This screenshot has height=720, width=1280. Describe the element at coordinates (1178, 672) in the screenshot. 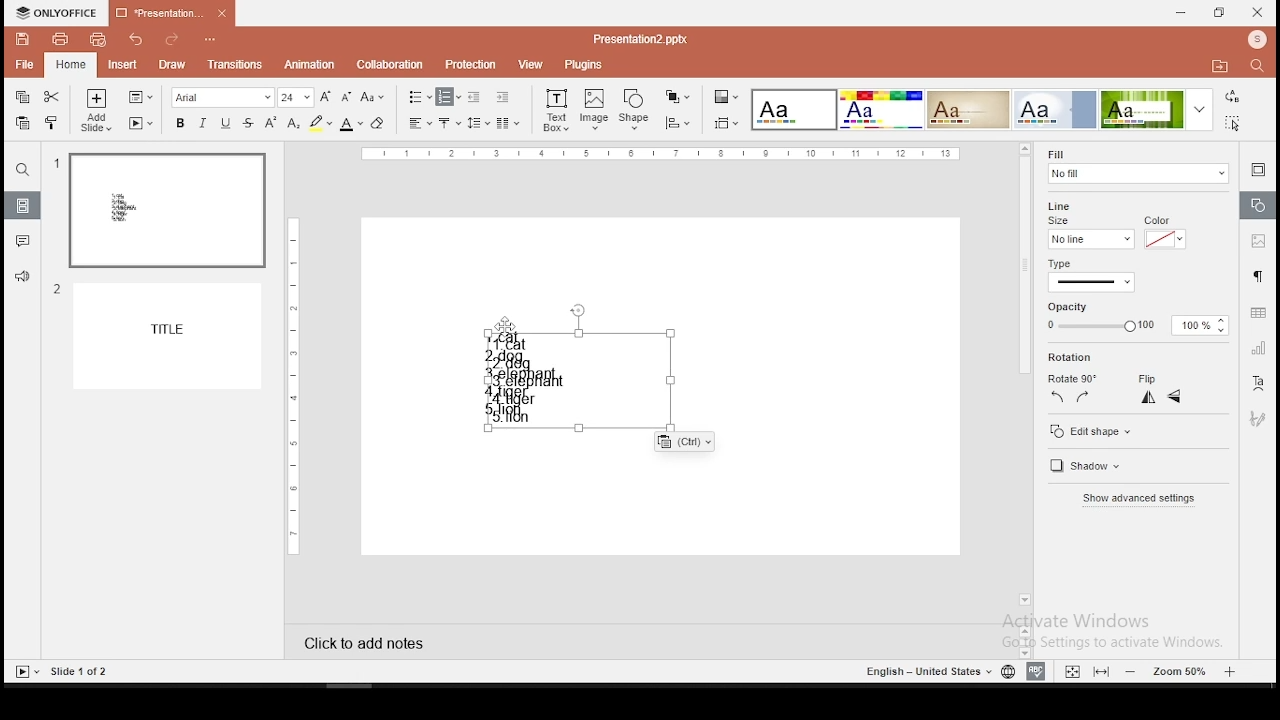

I see `zoom level` at that location.